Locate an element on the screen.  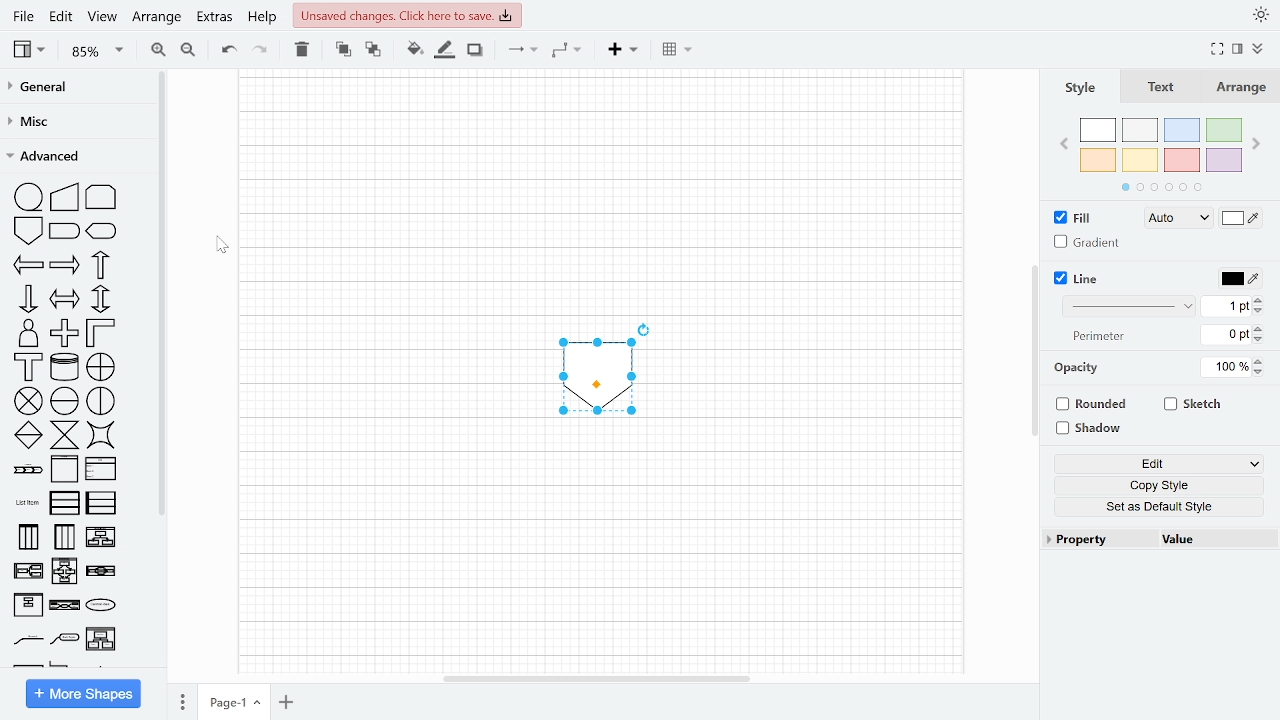
diagram is located at coordinates (596, 376).